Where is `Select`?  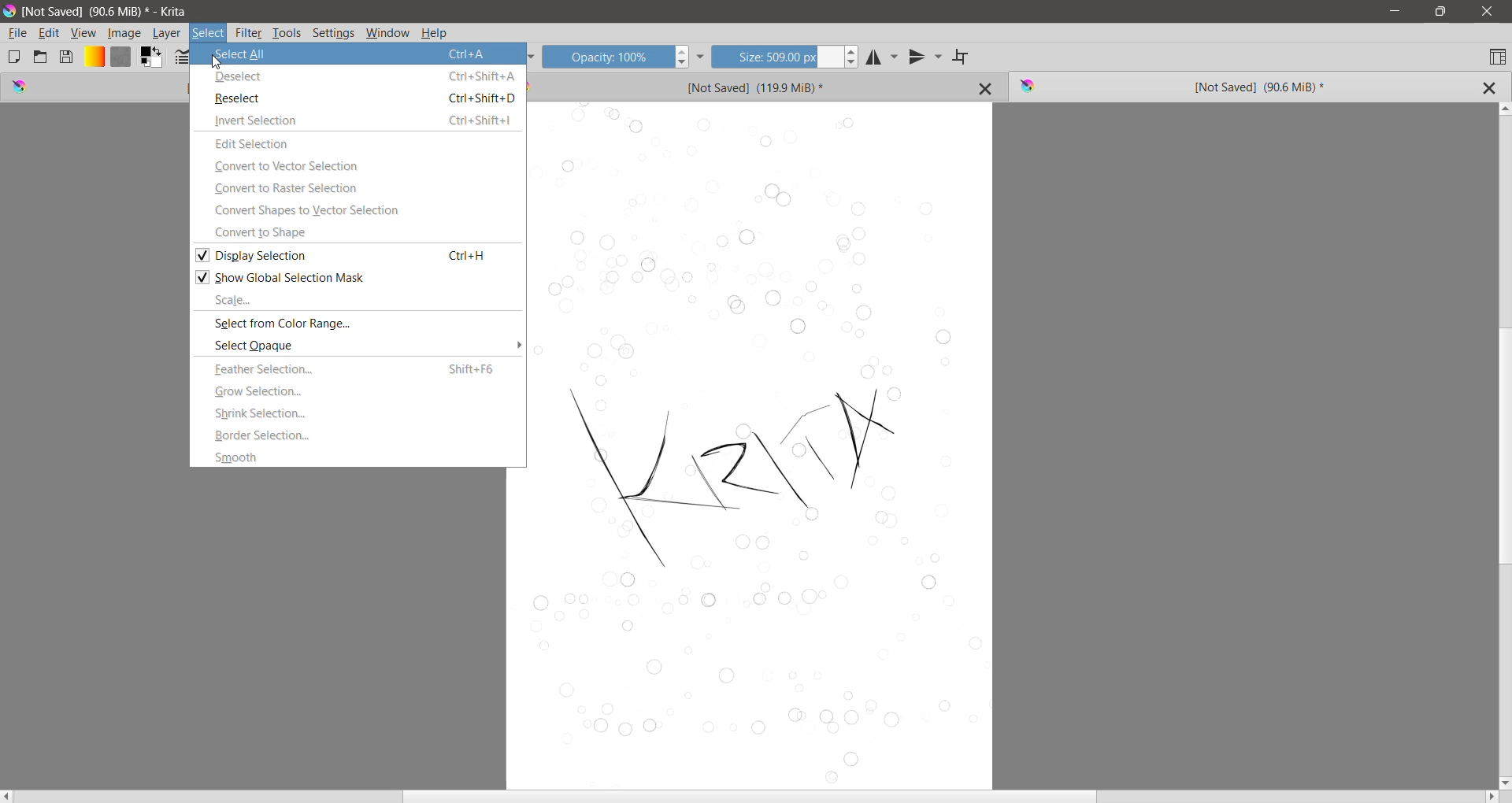
Select is located at coordinates (209, 33).